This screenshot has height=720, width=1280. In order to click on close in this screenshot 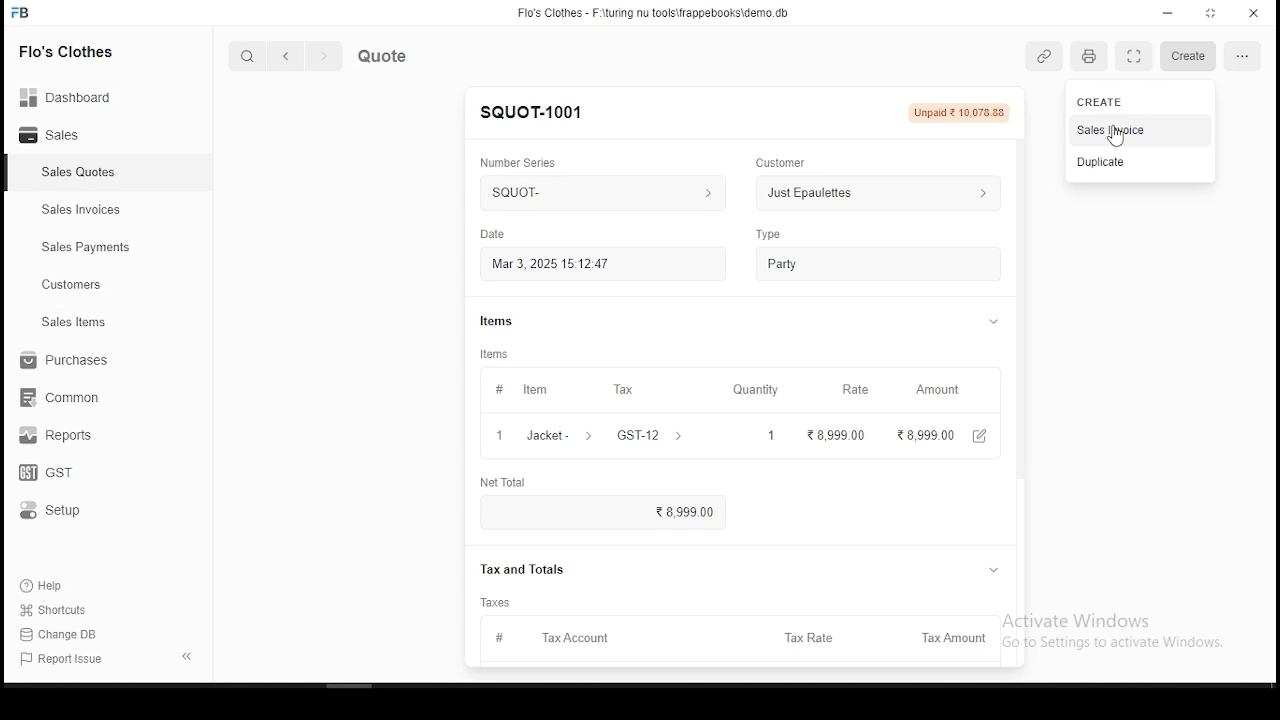, I will do `click(1254, 12)`.